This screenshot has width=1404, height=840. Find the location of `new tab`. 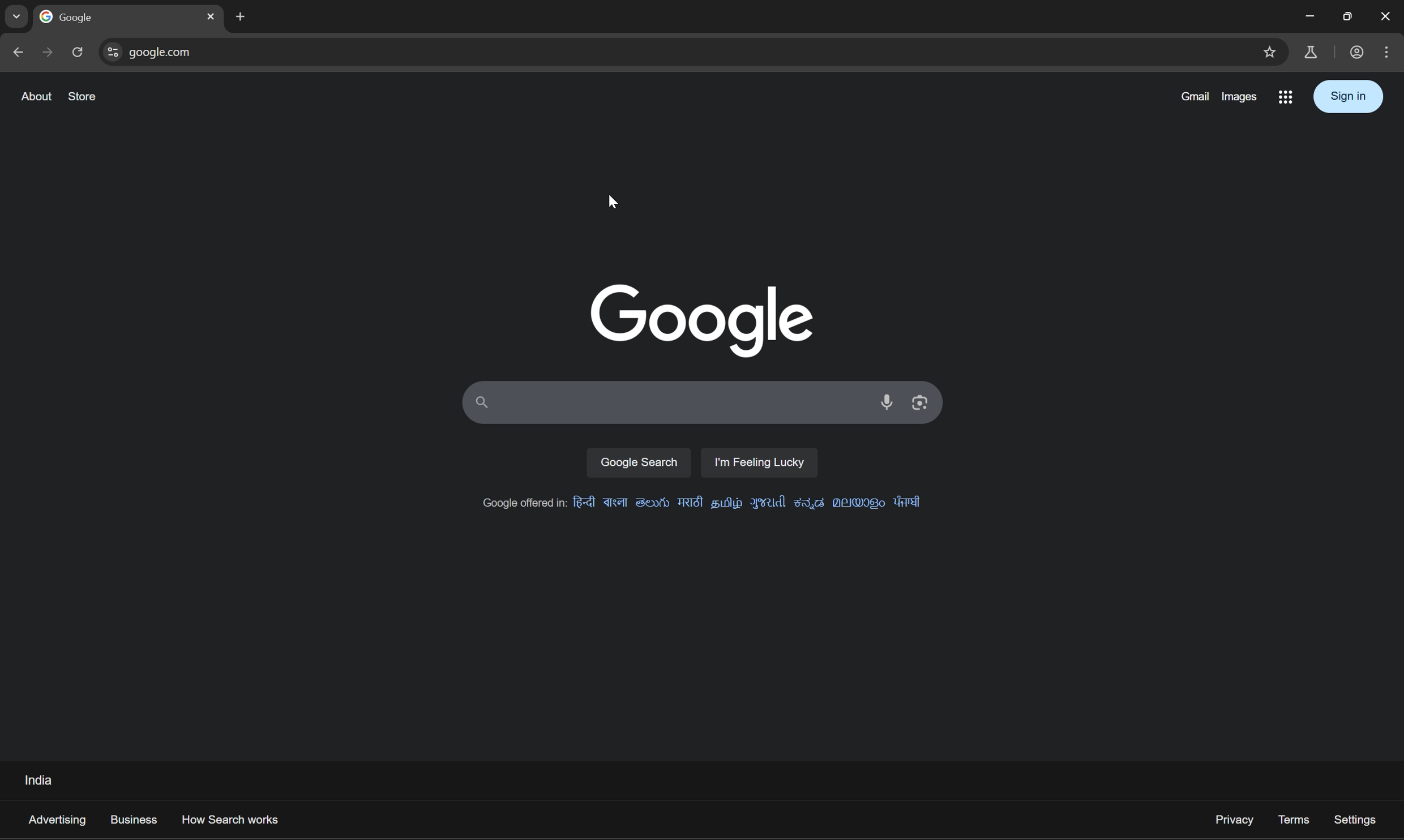

new tab is located at coordinates (239, 17).